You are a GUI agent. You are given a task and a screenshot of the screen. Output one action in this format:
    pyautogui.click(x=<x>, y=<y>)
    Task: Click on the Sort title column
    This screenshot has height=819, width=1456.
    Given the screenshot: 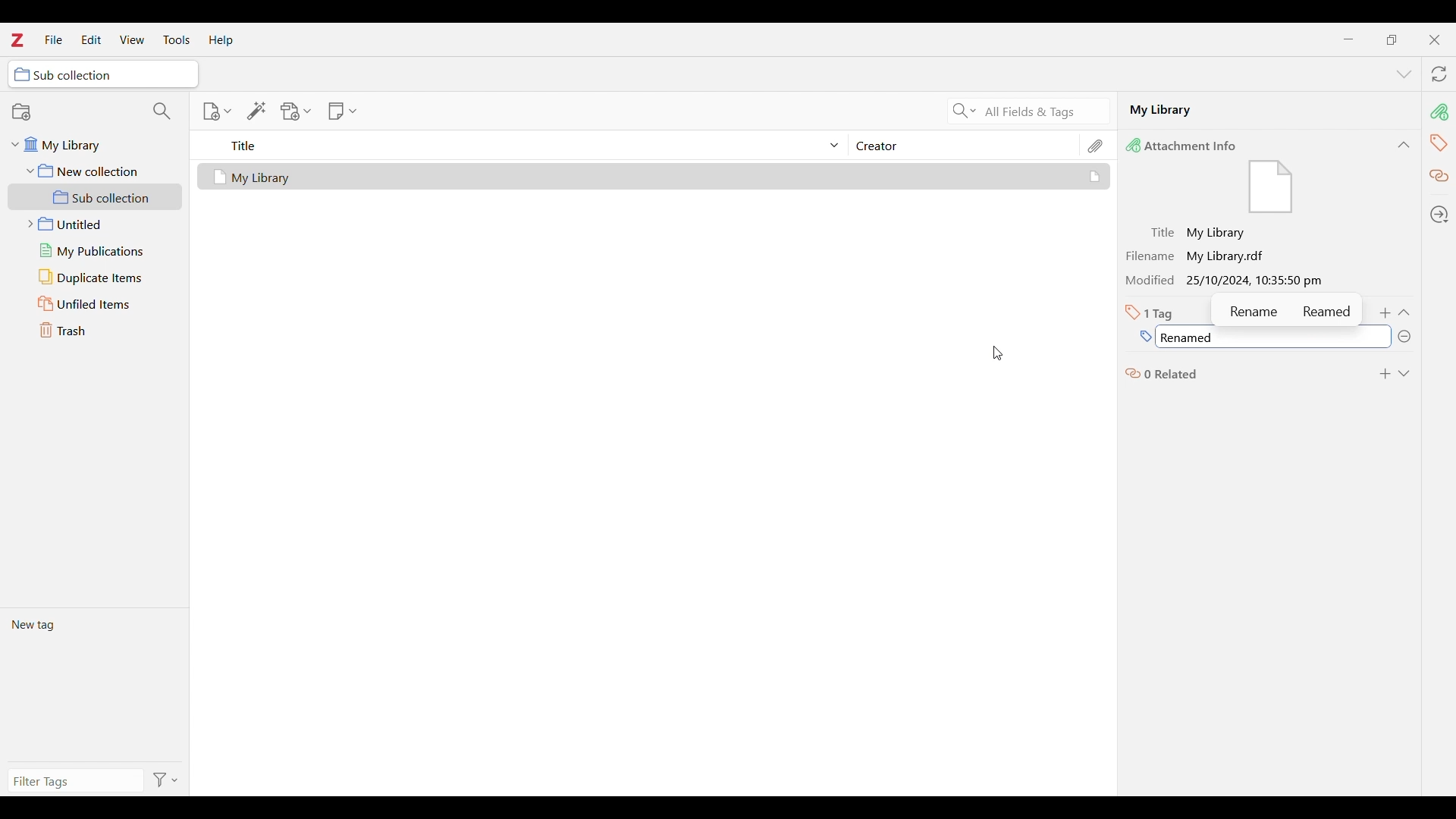 What is the action you would take?
    pyautogui.click(x=528, y=145)
    